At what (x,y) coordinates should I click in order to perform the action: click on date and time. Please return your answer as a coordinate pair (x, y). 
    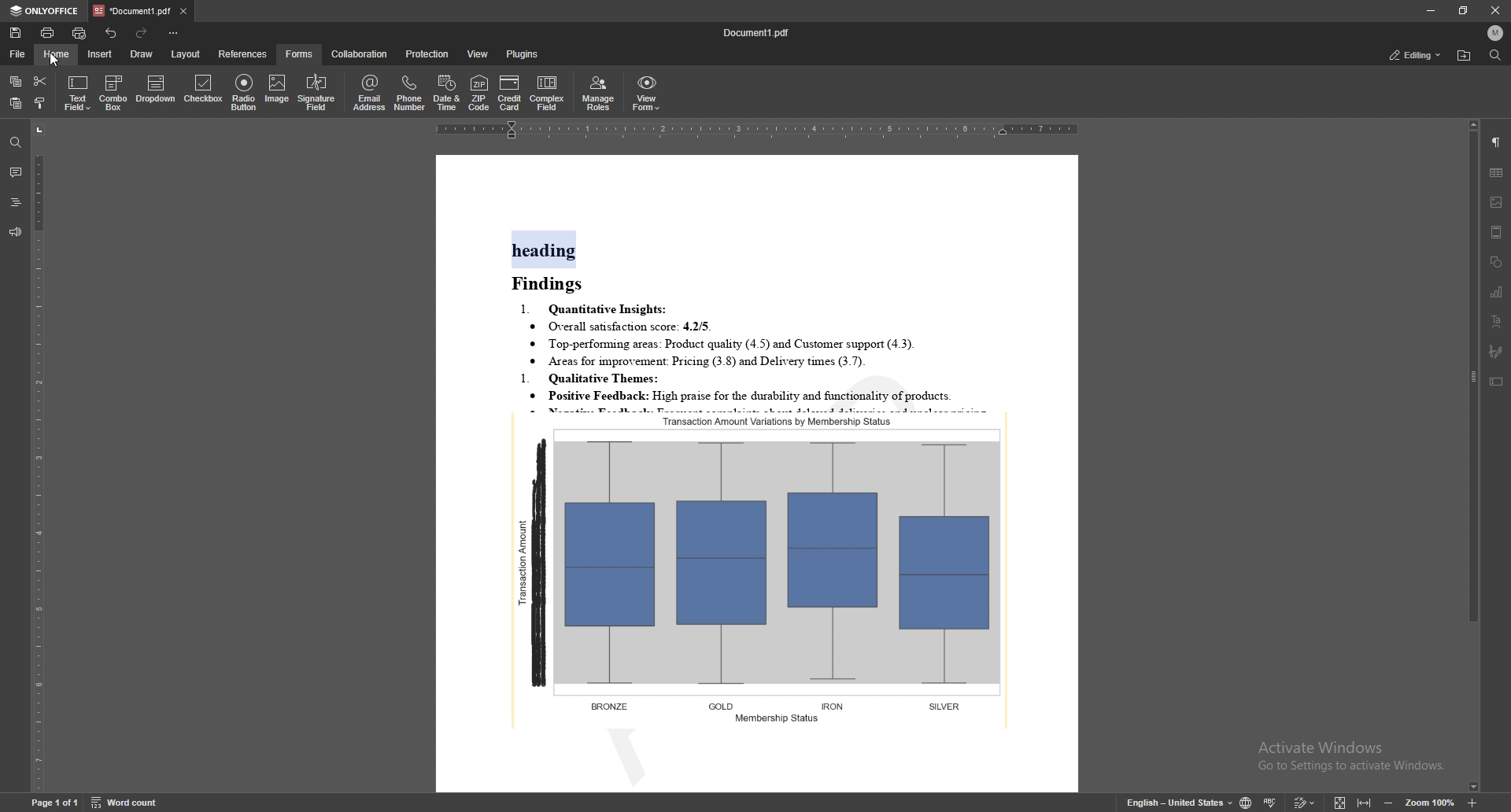
    Looking at the image, I should click on (446, 94).